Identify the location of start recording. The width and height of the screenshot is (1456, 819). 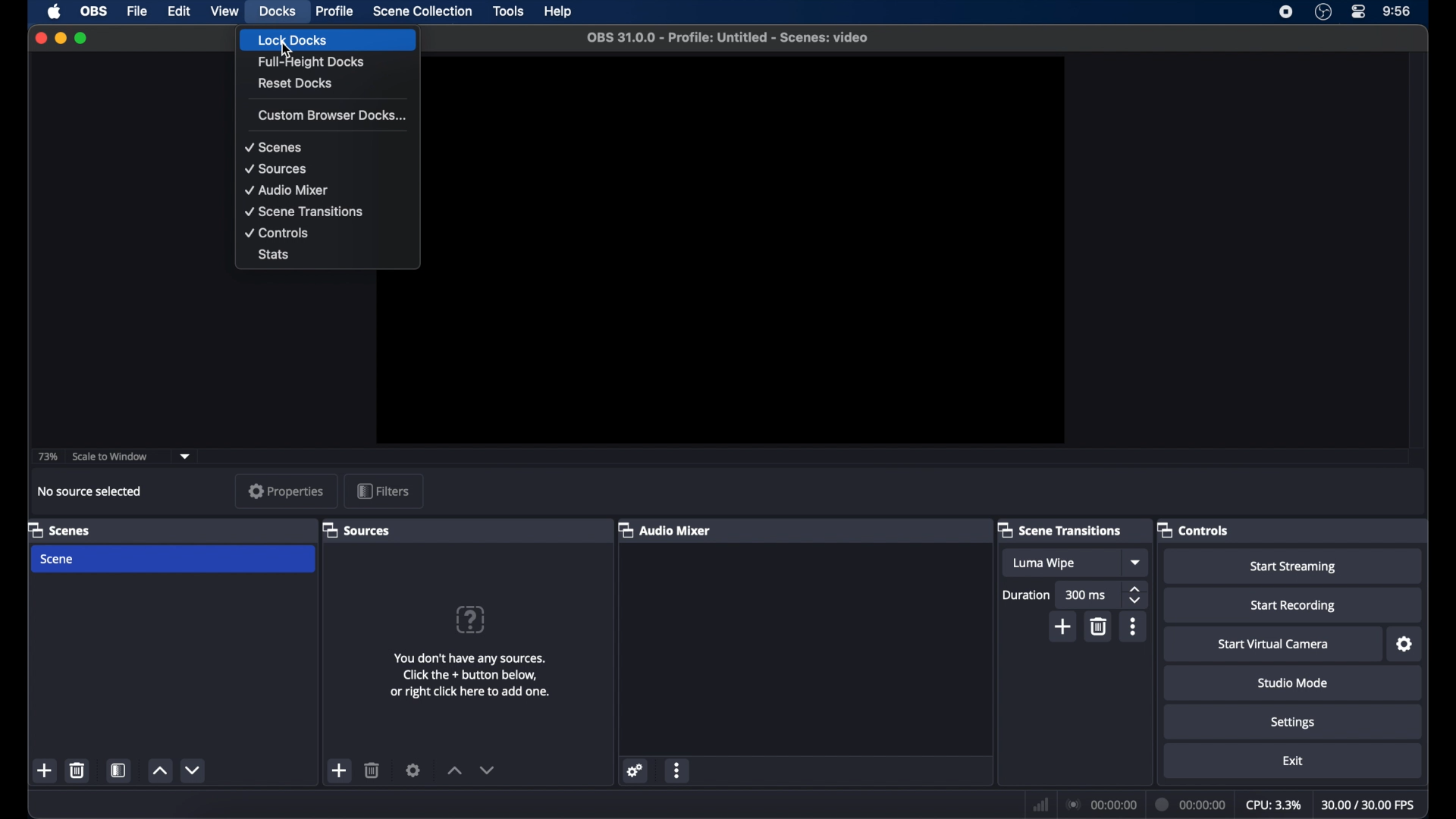
(1293, 604).